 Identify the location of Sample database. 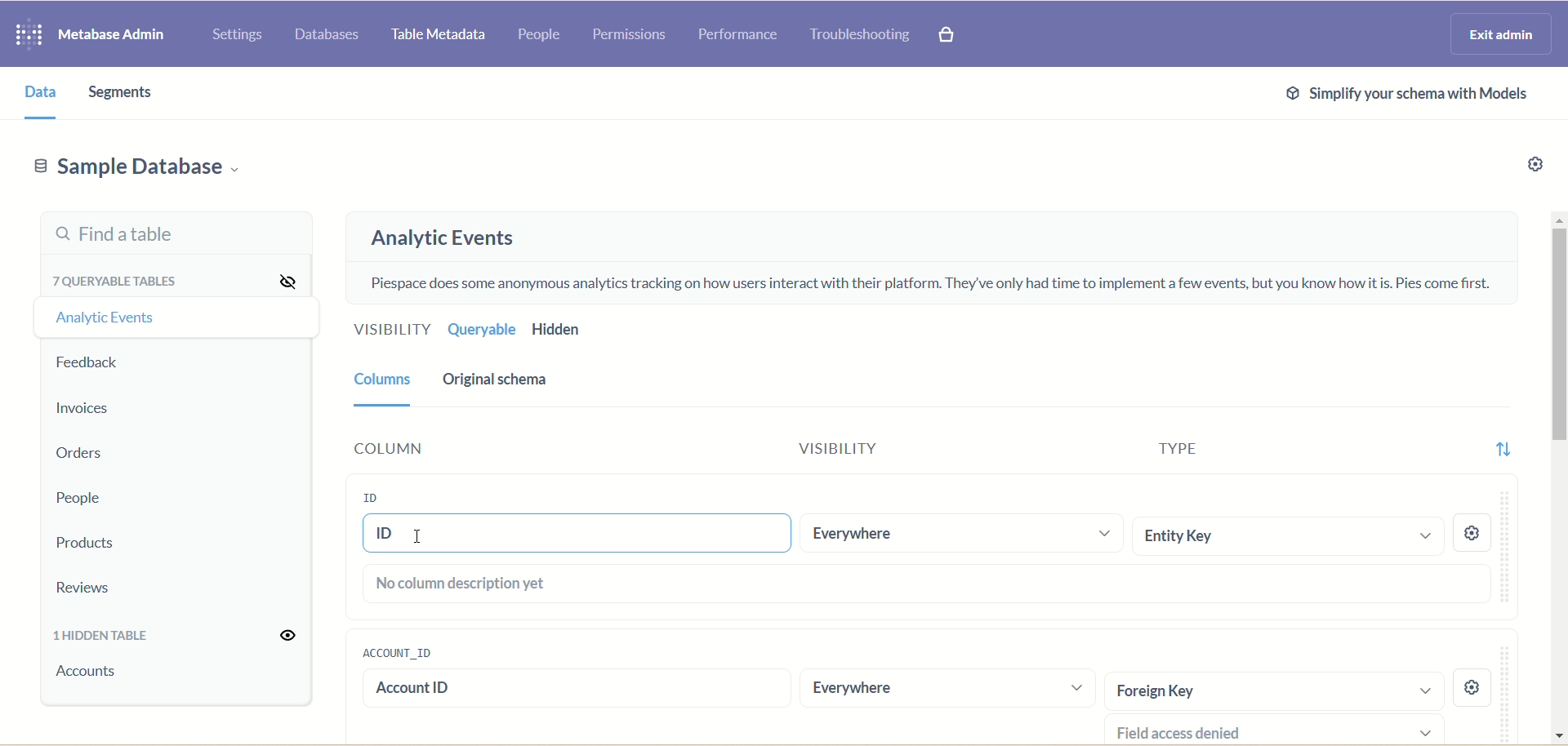
(154, 168).